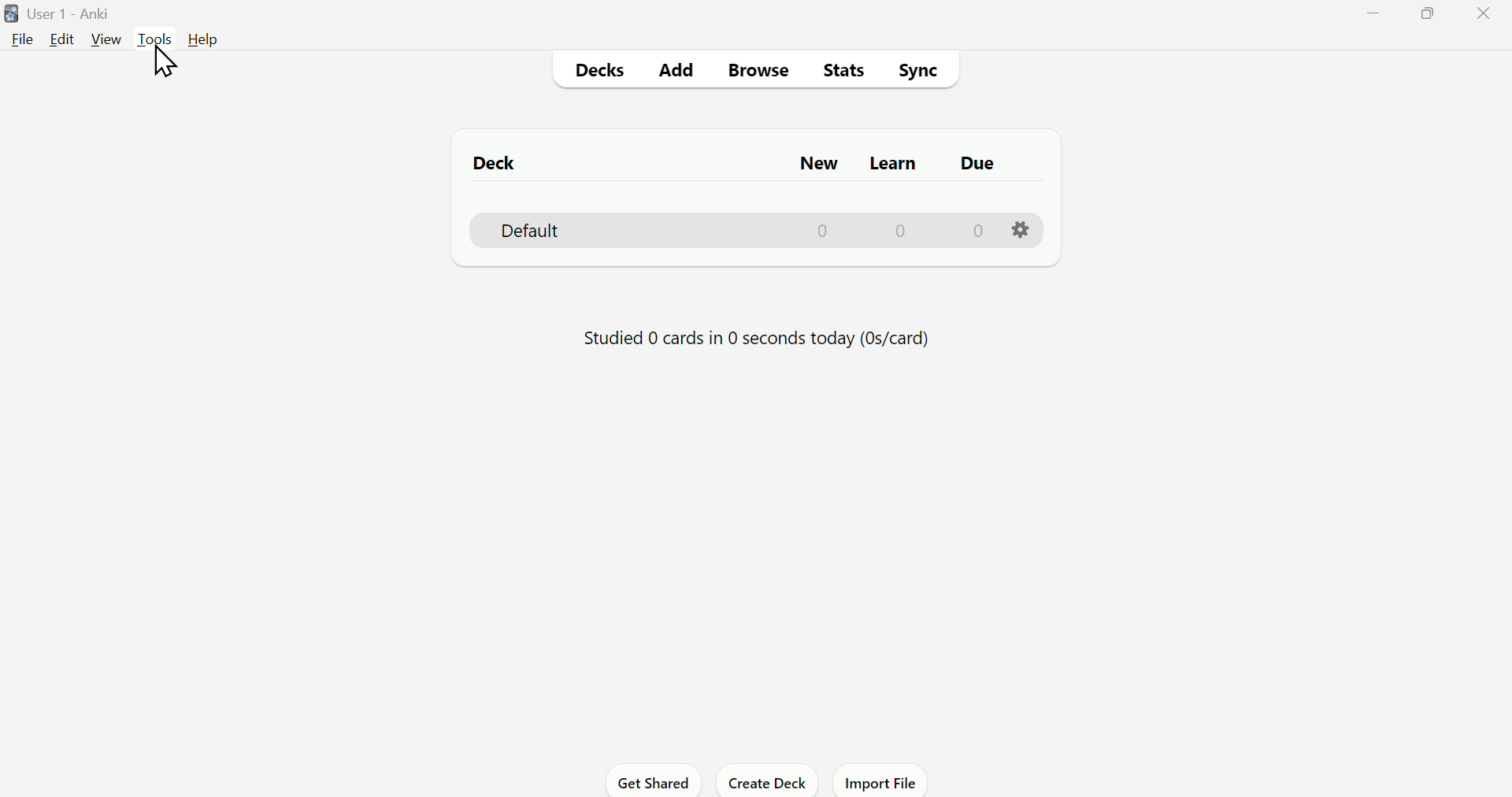  I want to click on Edit, so click(59, 42).